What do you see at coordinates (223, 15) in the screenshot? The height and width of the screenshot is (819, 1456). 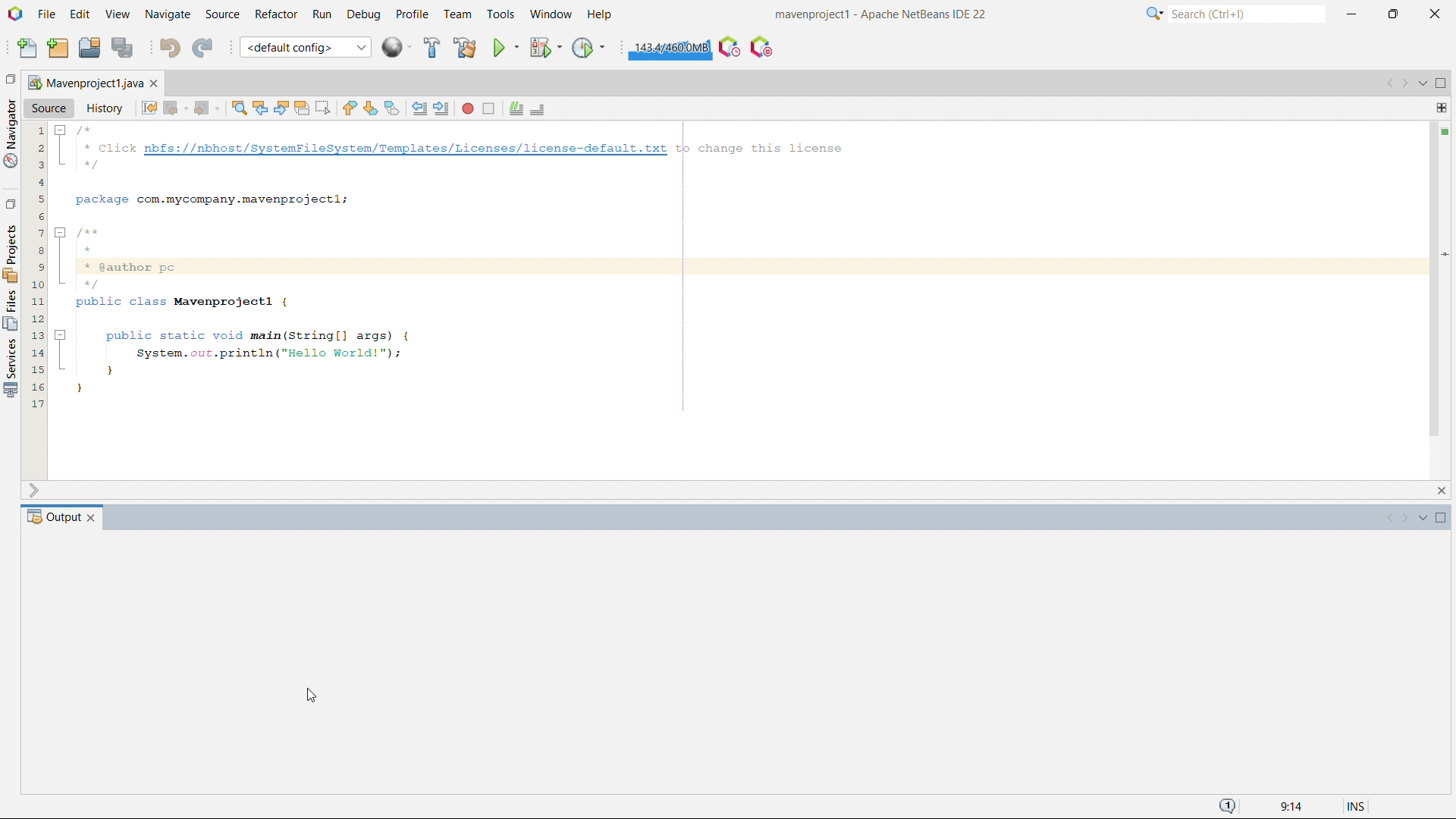 I see `source` at bounding box center [223, 15].